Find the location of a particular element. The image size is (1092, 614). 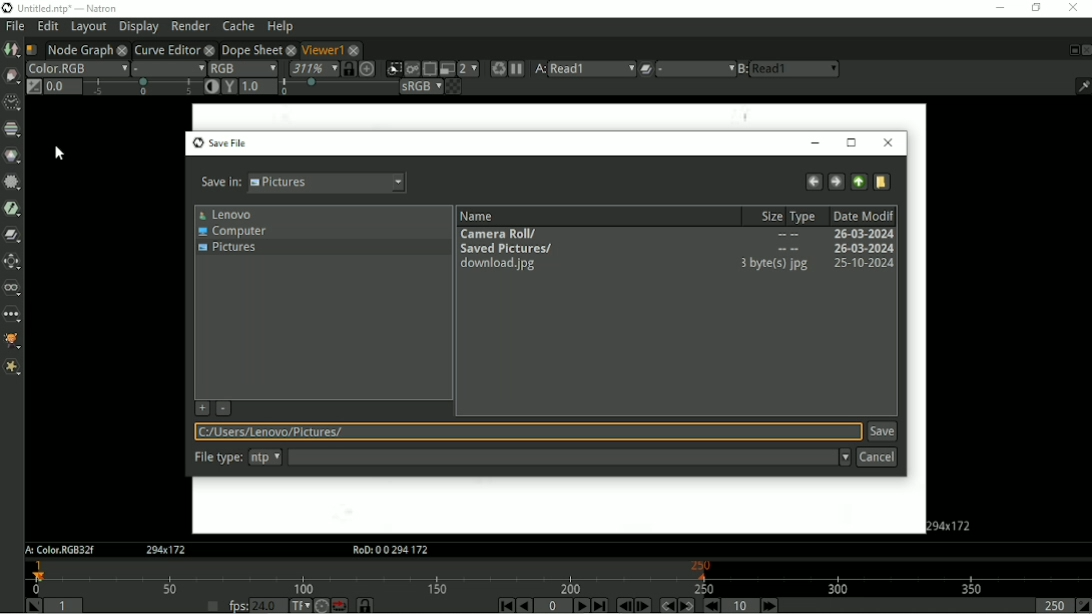

Set playback in point is located at coordinates (33, 605).